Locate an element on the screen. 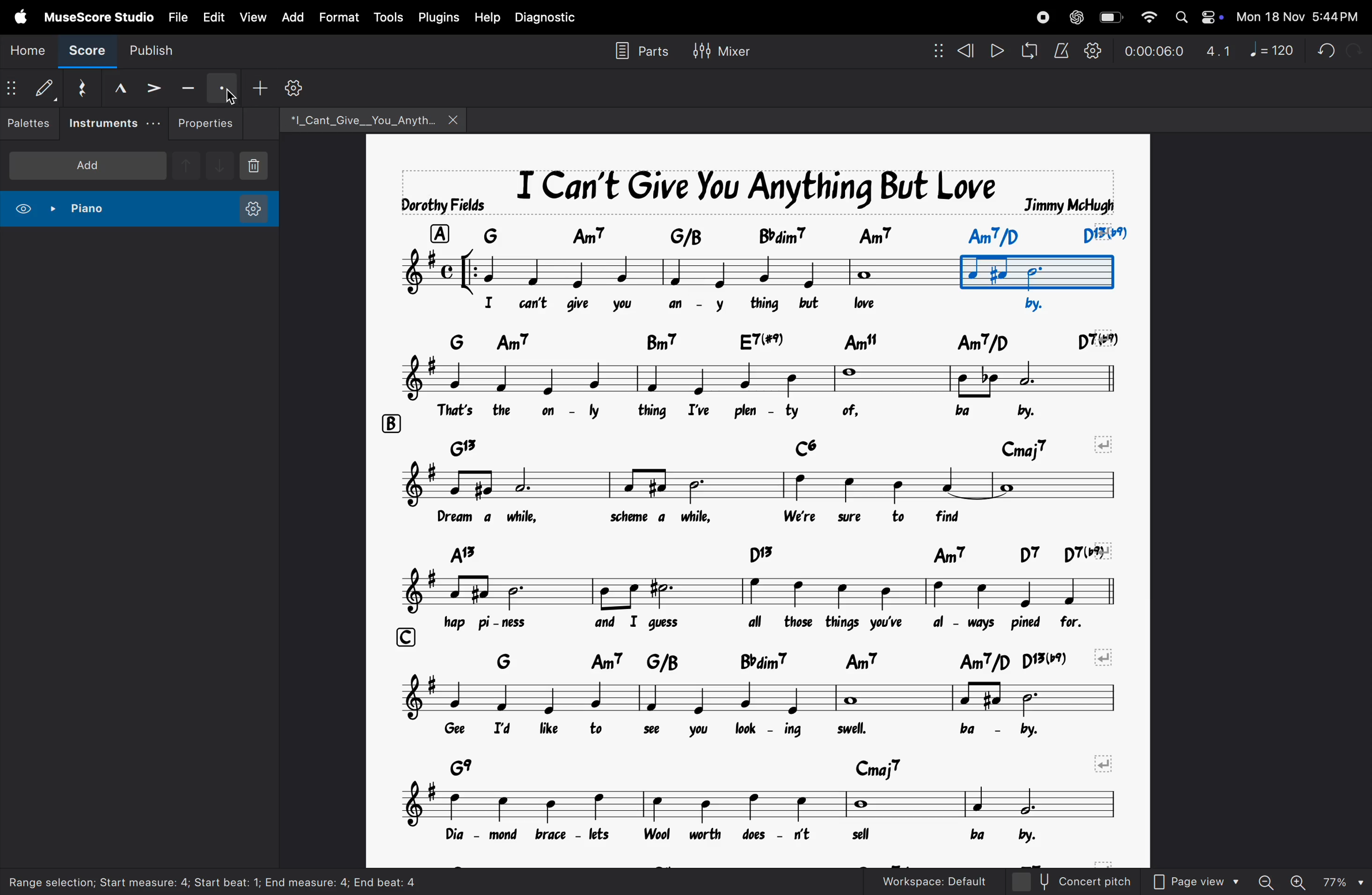 This screenshot has width=1372, height=895. format is located at coordinates (341, 17).